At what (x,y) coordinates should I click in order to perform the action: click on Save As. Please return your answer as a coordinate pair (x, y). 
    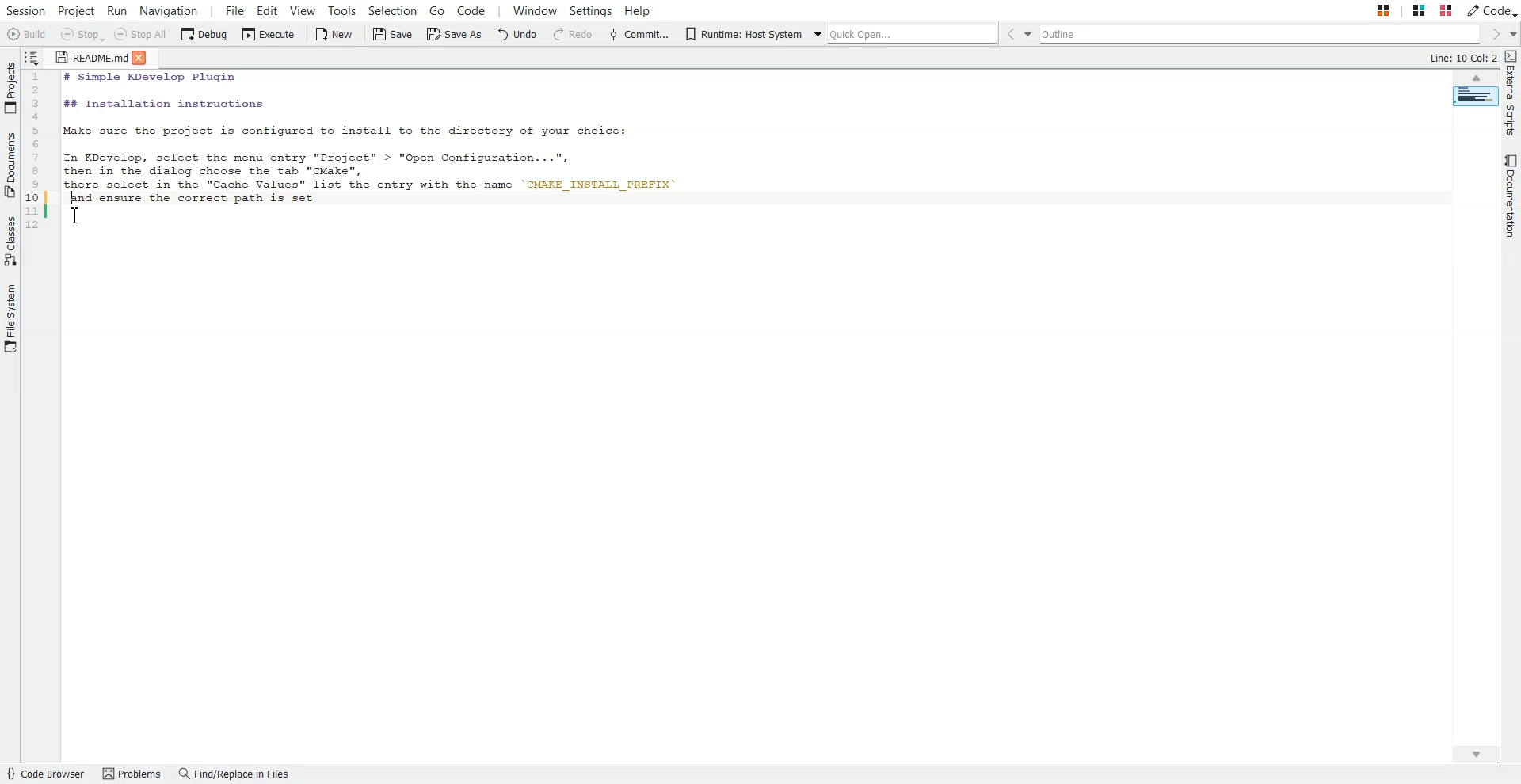
    Looking at the image, I should click on (453, 35).